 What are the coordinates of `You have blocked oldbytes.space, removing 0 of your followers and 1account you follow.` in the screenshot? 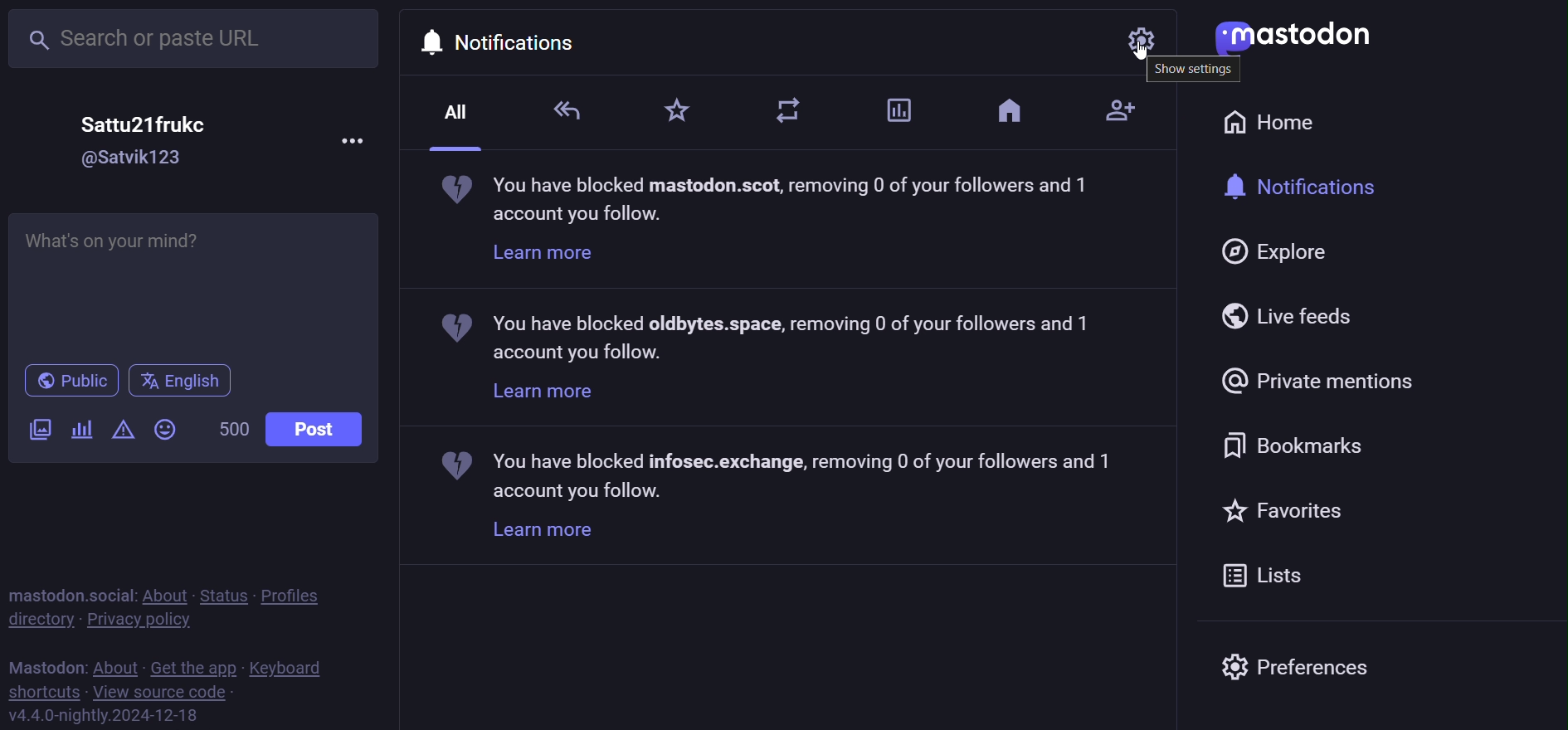 It's located at (779, 336).